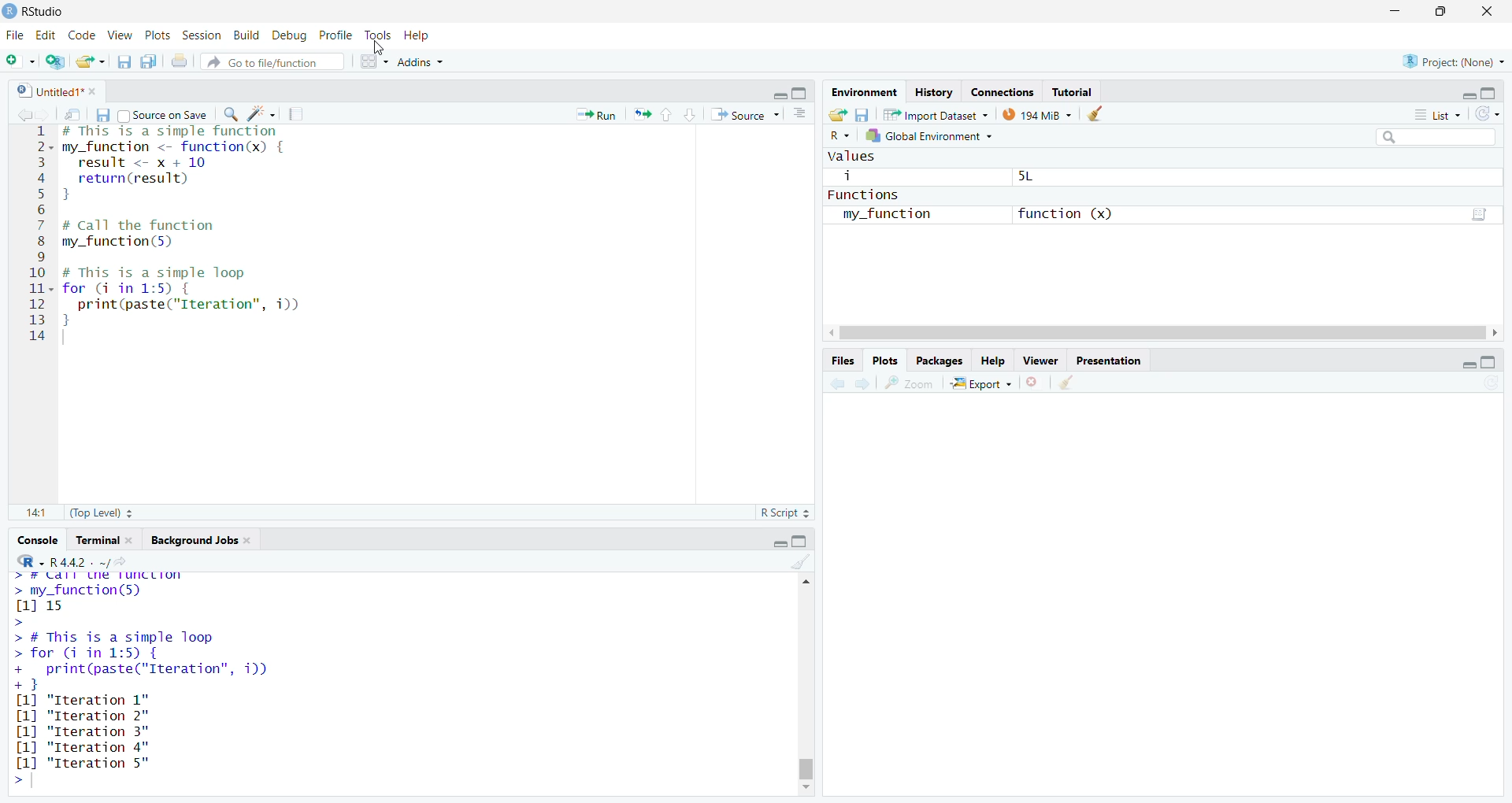  I want to click on refresh the list of objects in the environment, so click(1495, 116).